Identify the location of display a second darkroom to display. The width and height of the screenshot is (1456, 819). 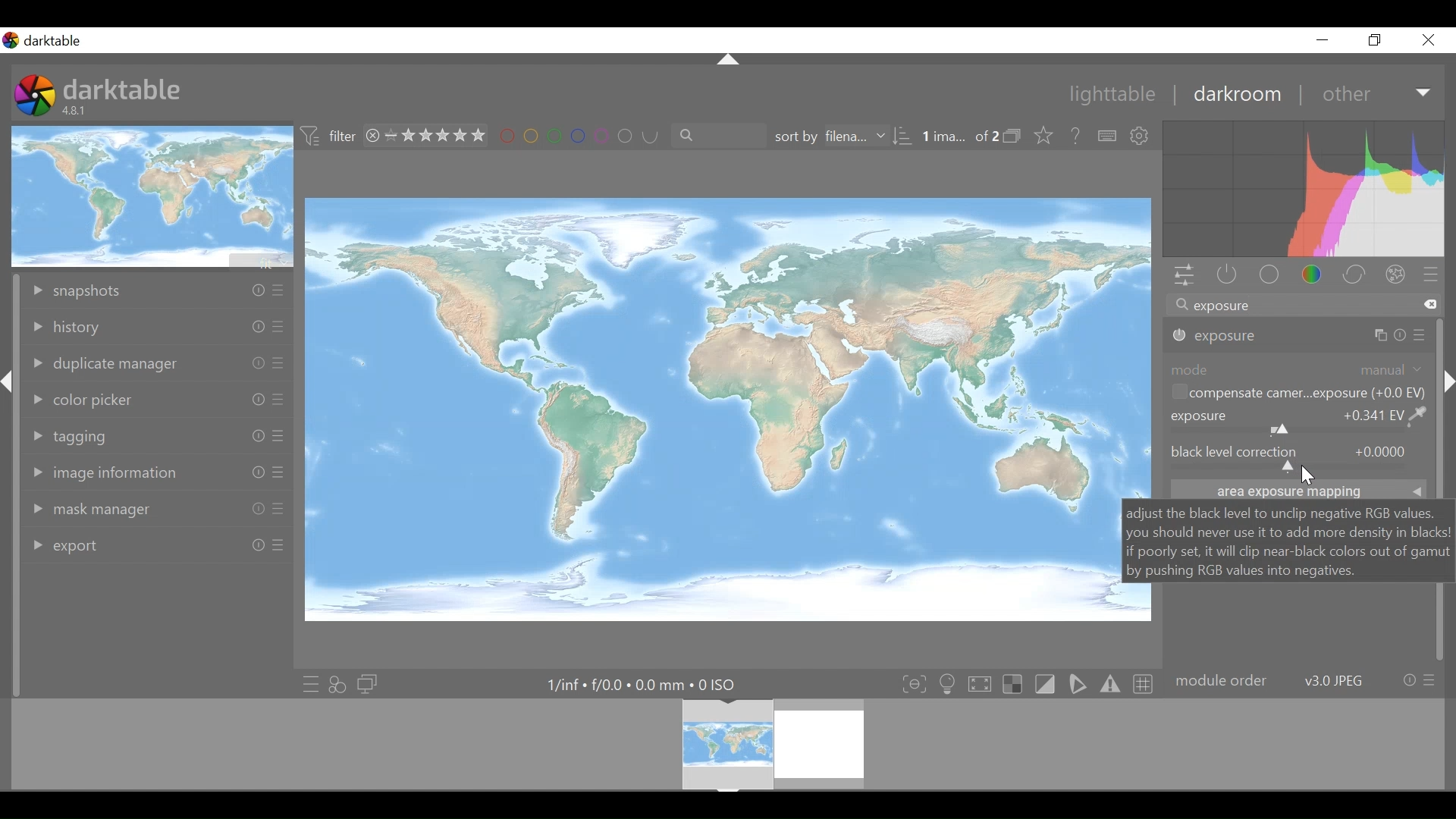
(369, 683).